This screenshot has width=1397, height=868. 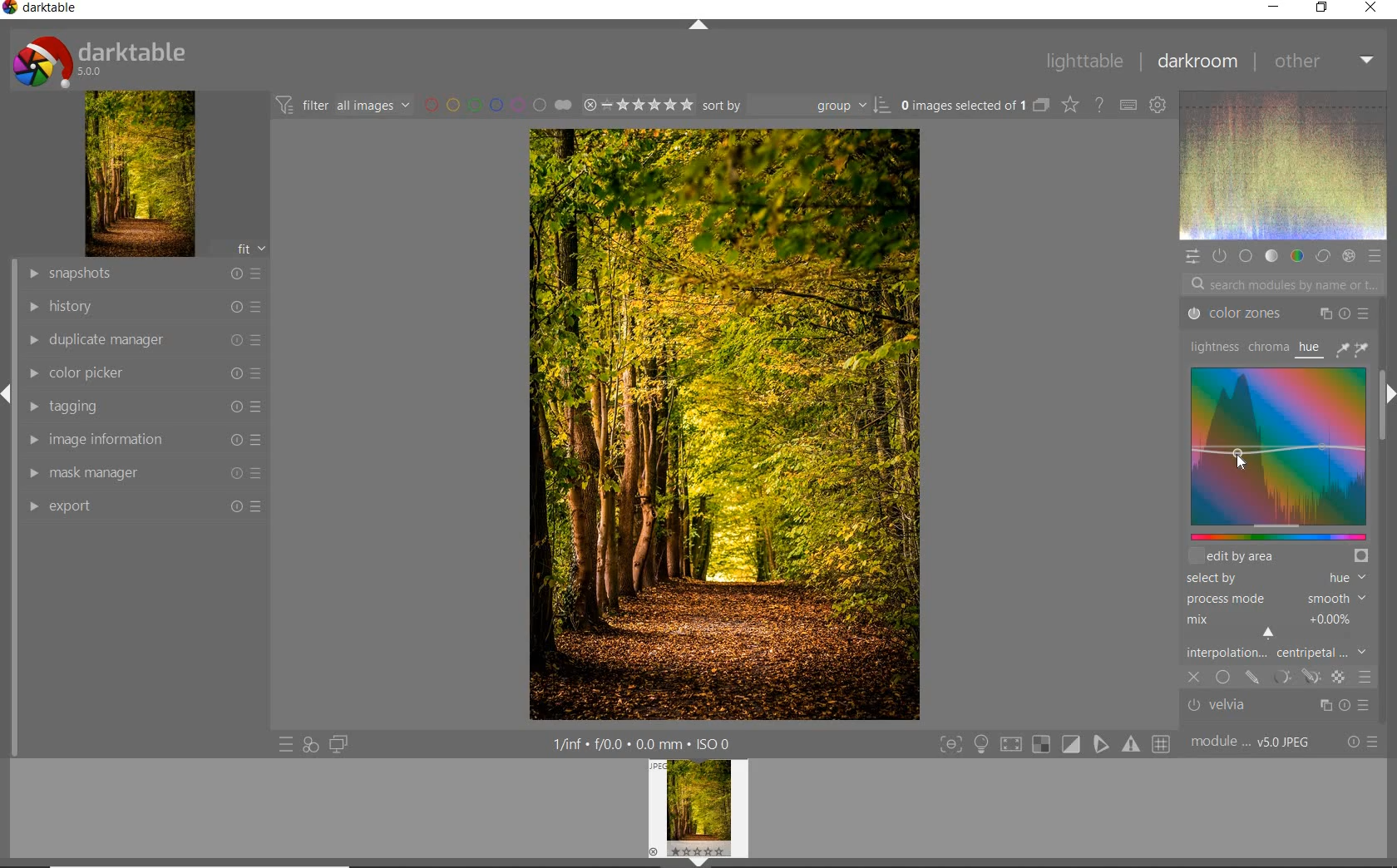 What do you see at coordinates (141, 308) in the screenshot?
I see `HISTORY` at bounding box center [141, 308].